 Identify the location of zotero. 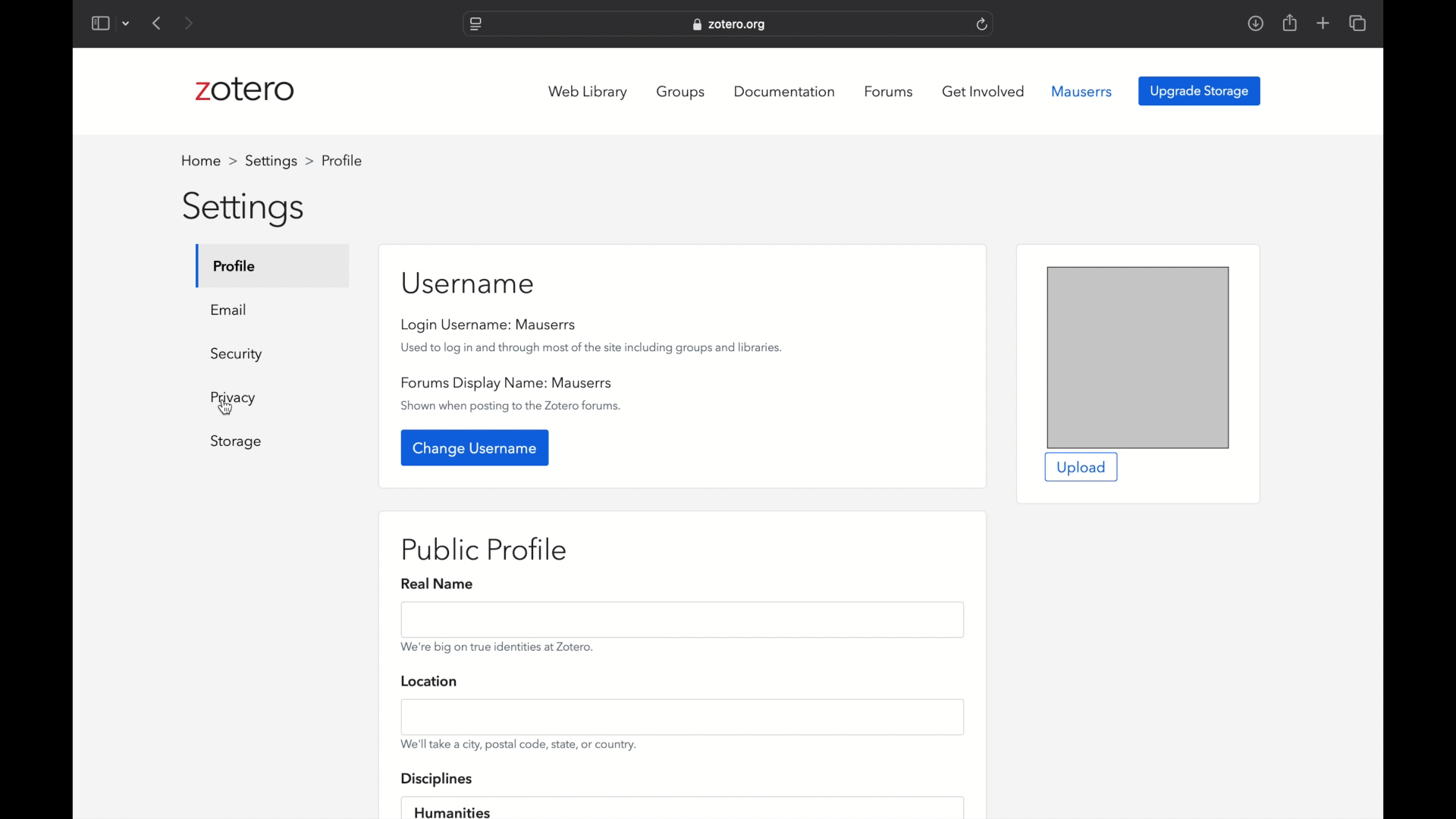
(245, 89).